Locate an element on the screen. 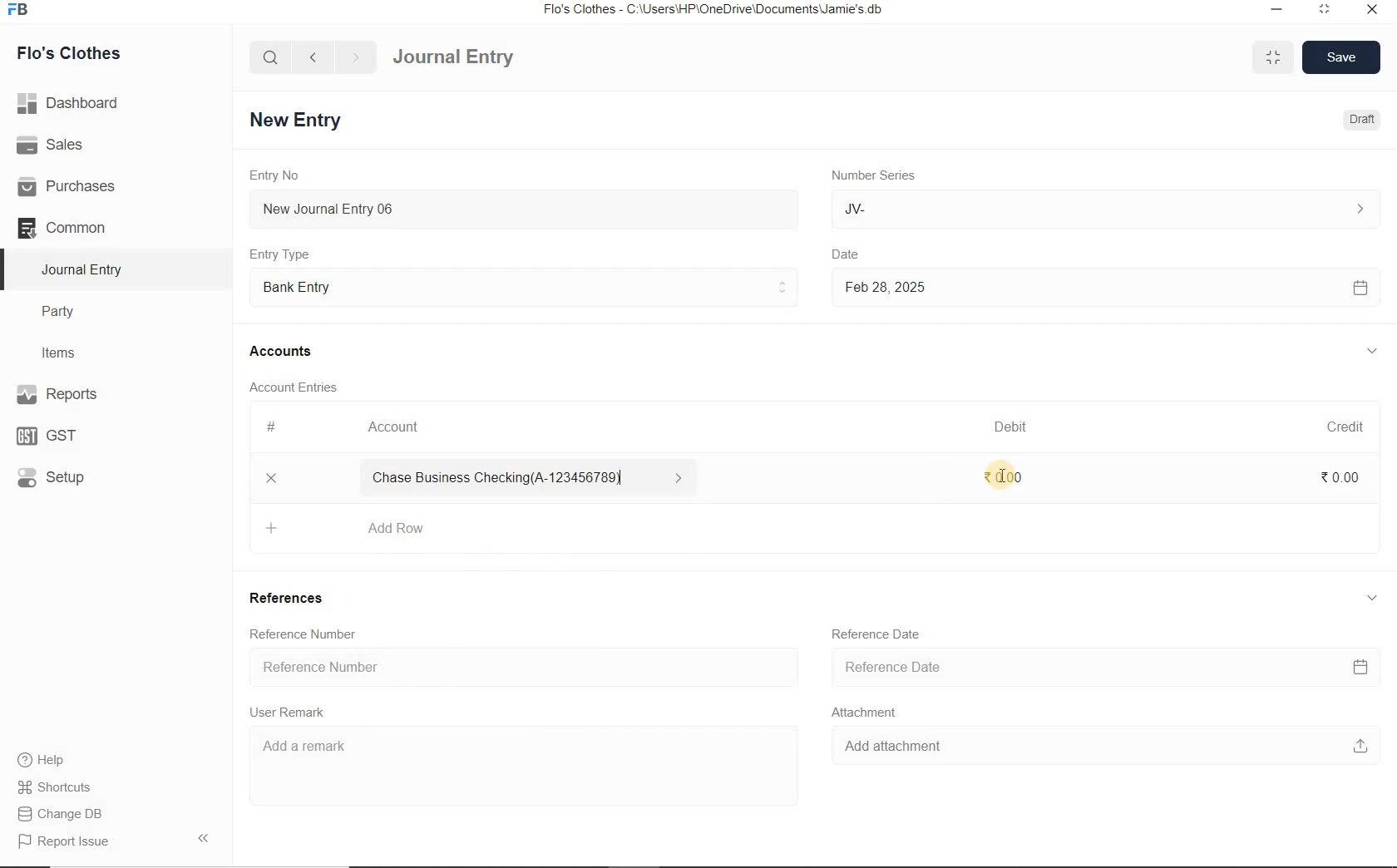  minimise/maximise is located at coordinates (1274, 58).